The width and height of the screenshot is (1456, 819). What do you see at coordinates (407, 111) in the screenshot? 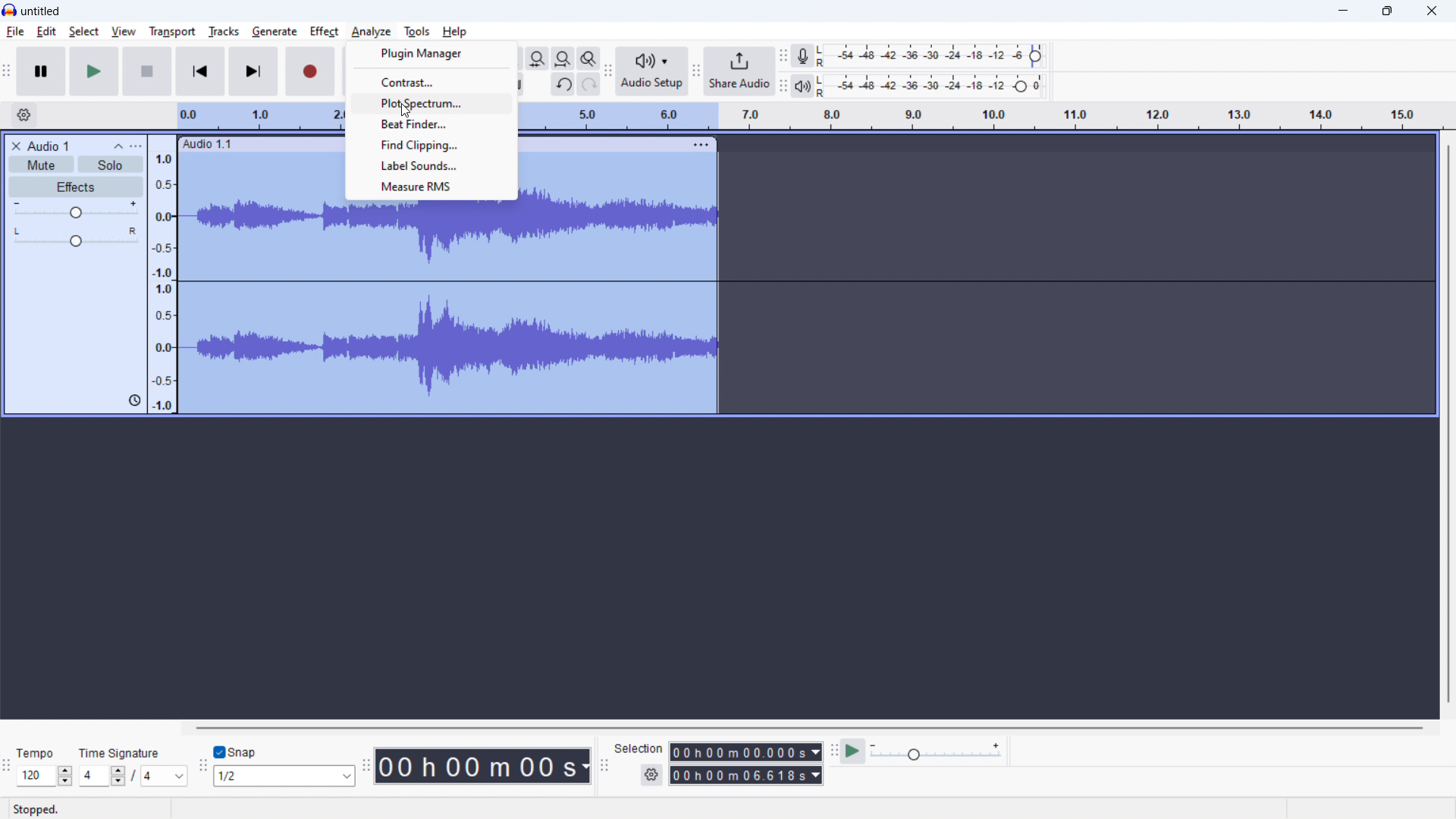
I see `Cursor` at bounding box center [407, 111].